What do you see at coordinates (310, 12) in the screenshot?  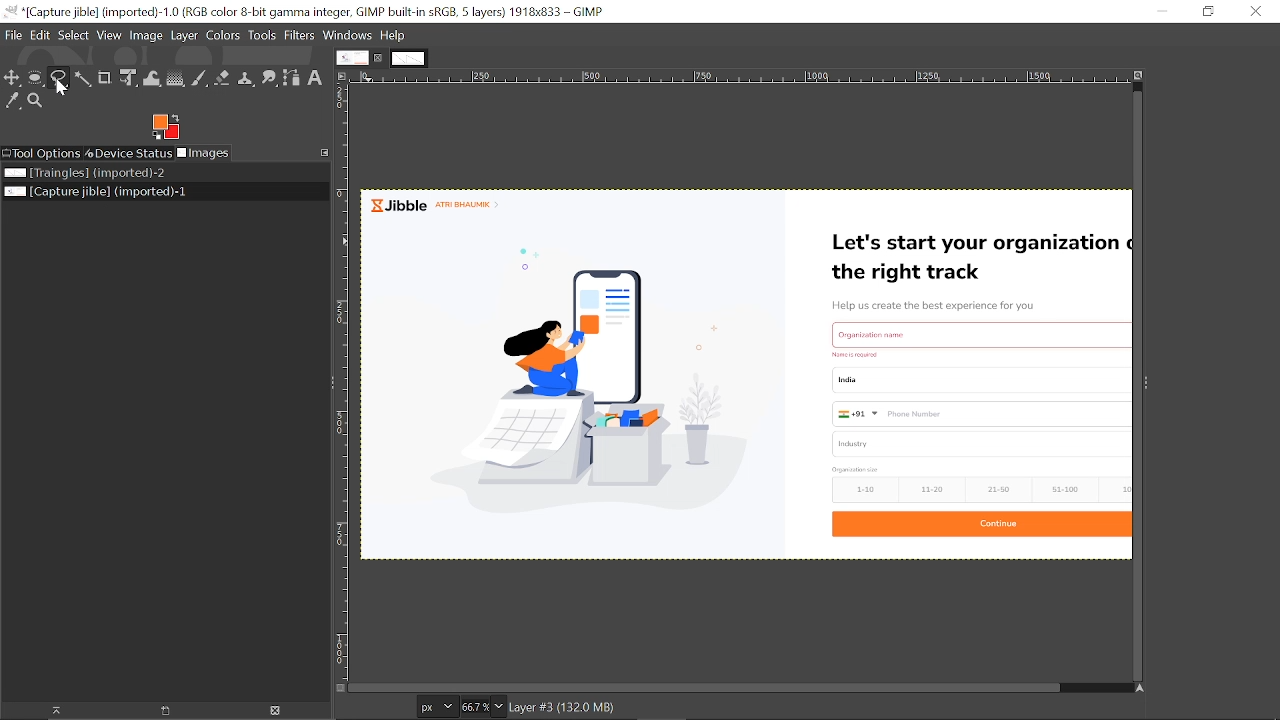 I see `Current window ` at bounding box center [310, 12].